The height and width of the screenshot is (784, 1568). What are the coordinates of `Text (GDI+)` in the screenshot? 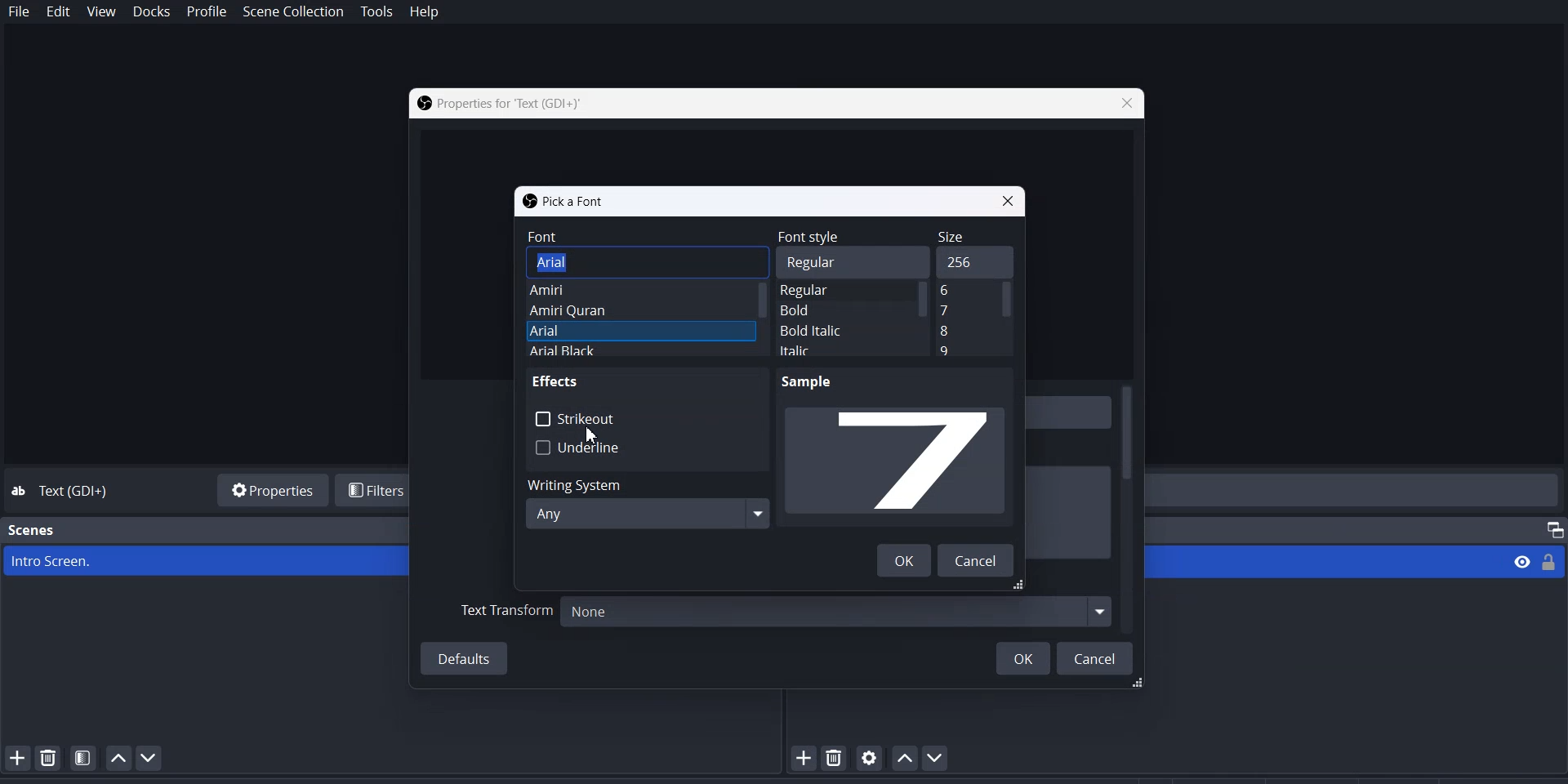 It's located at (78, 492).